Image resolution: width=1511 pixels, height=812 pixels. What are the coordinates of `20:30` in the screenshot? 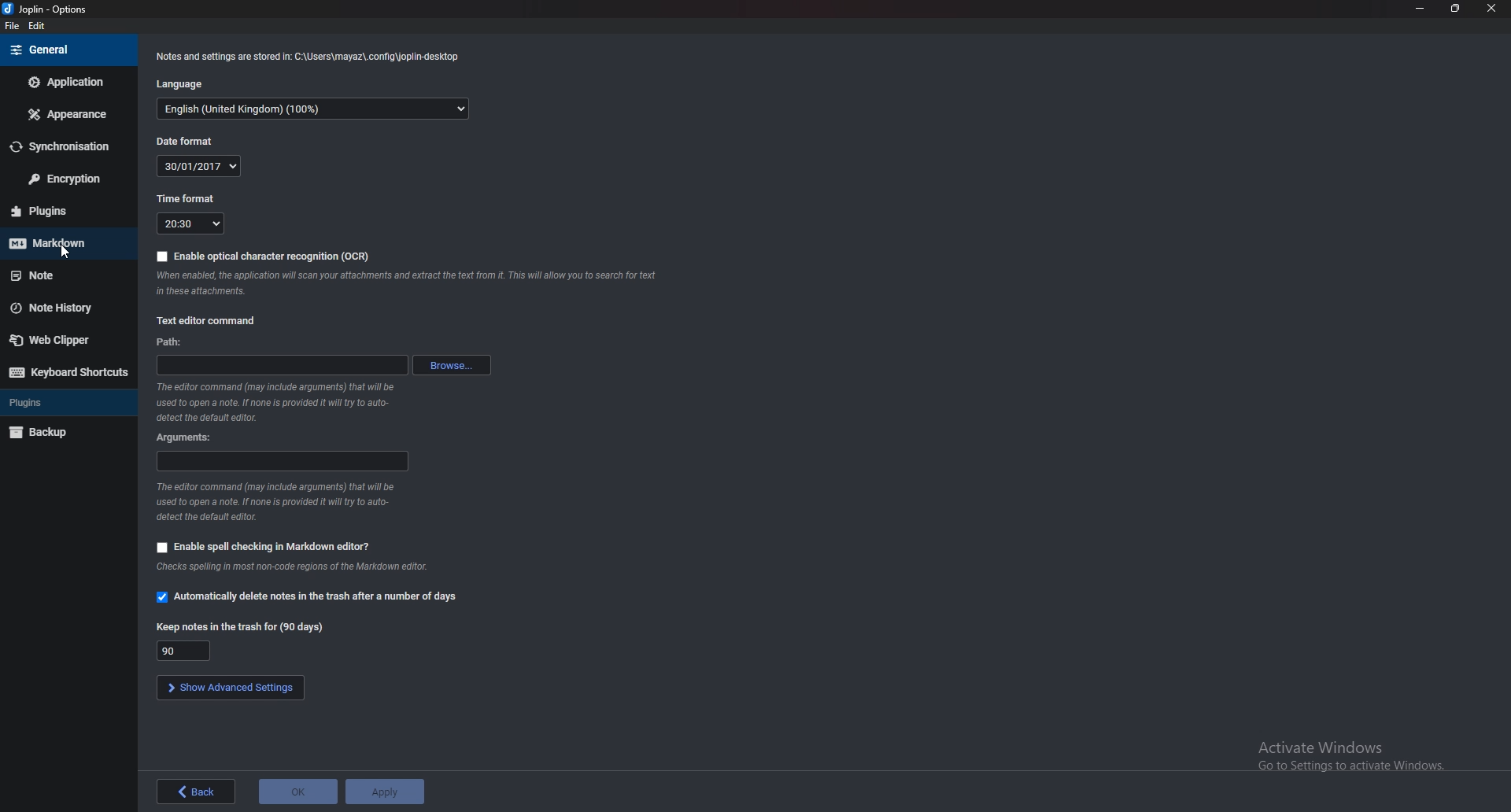 It's located at (190, 223).